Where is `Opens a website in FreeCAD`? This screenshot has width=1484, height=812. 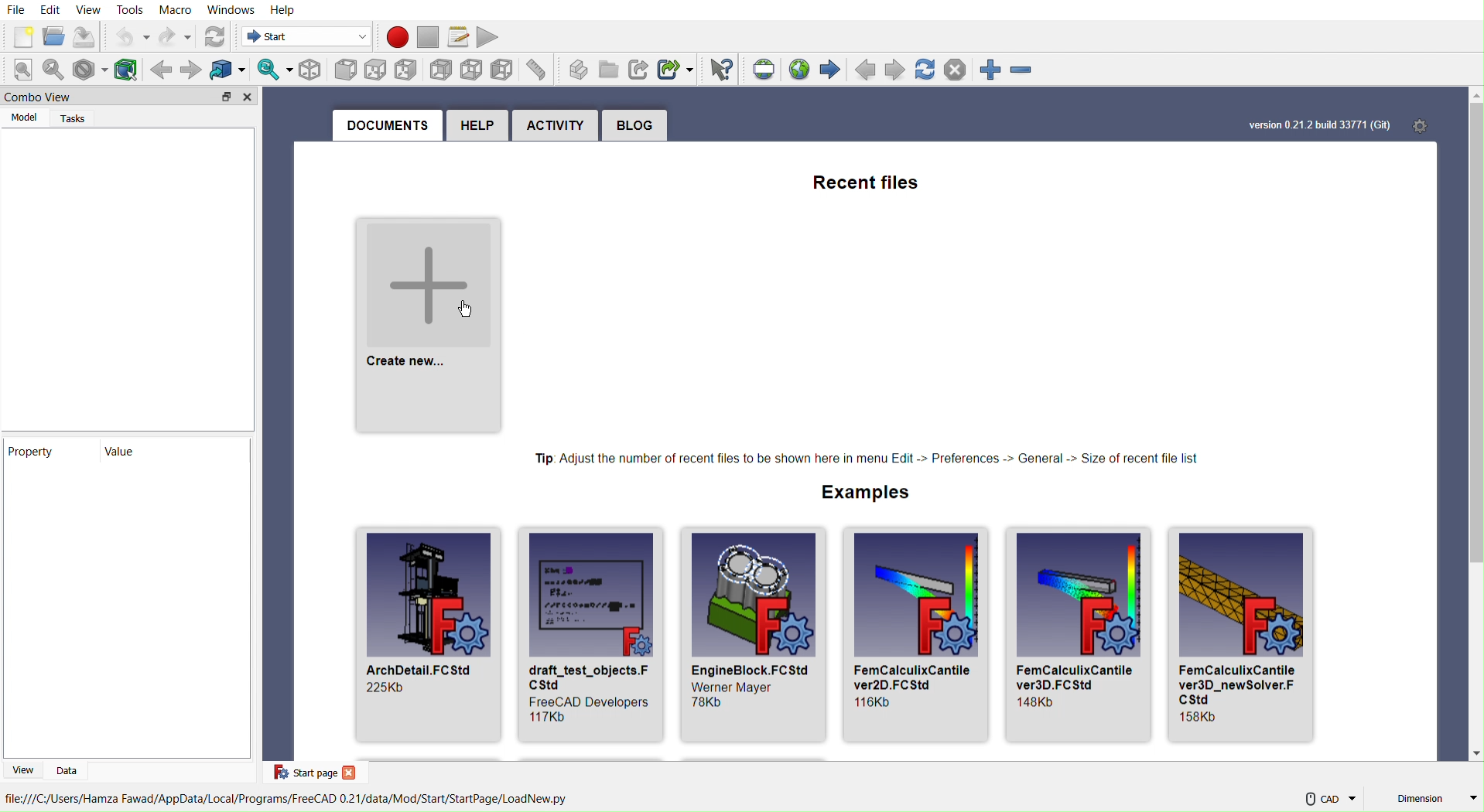
Opens a website in FreeCAD is located at coordinates (802, 67).